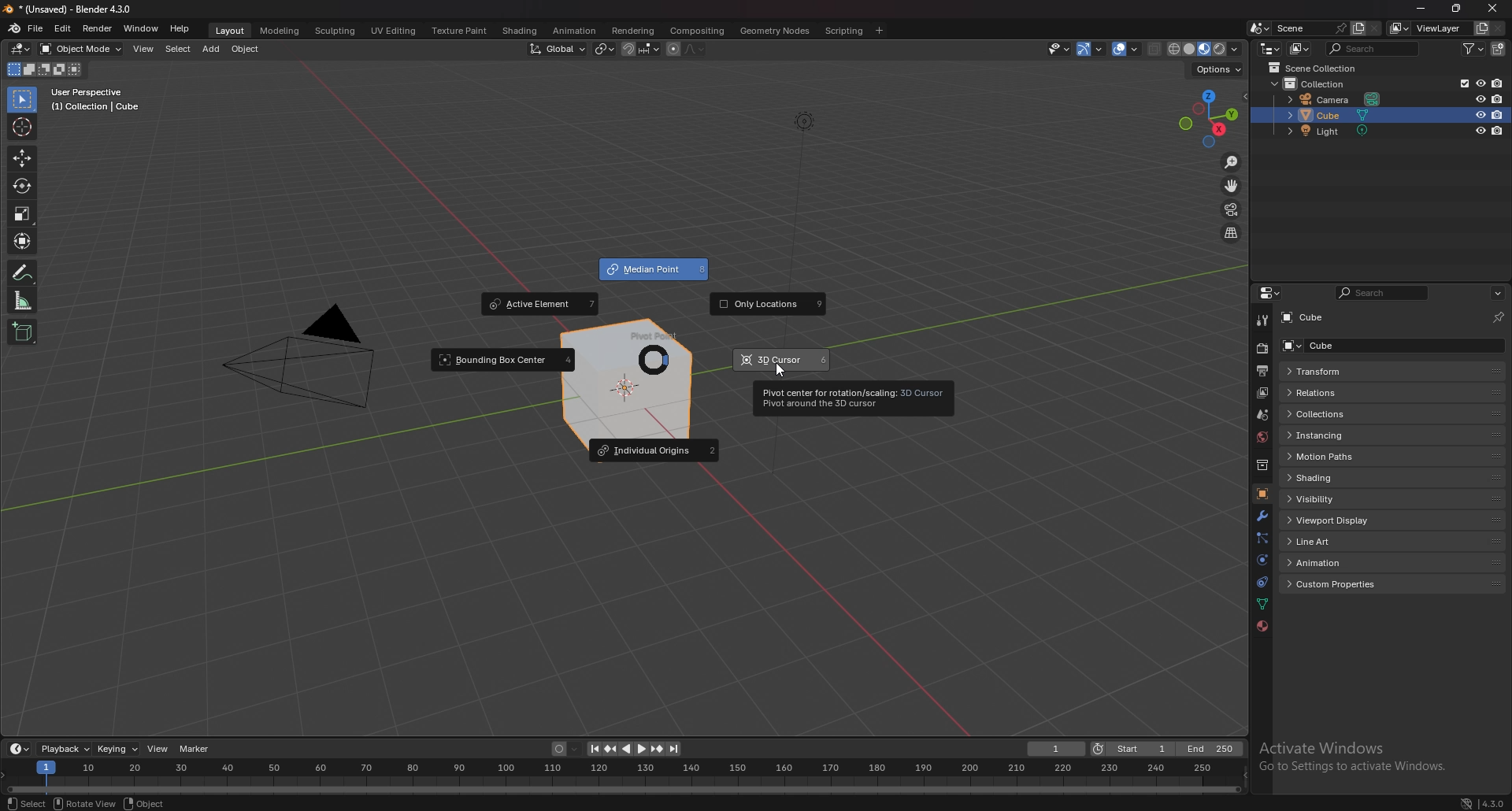 Image resolution: width=1512 pixels, height=811 pixels. Describe the element at coordinates (1269, 49) in the screenshot. I see `editor type` at that location.